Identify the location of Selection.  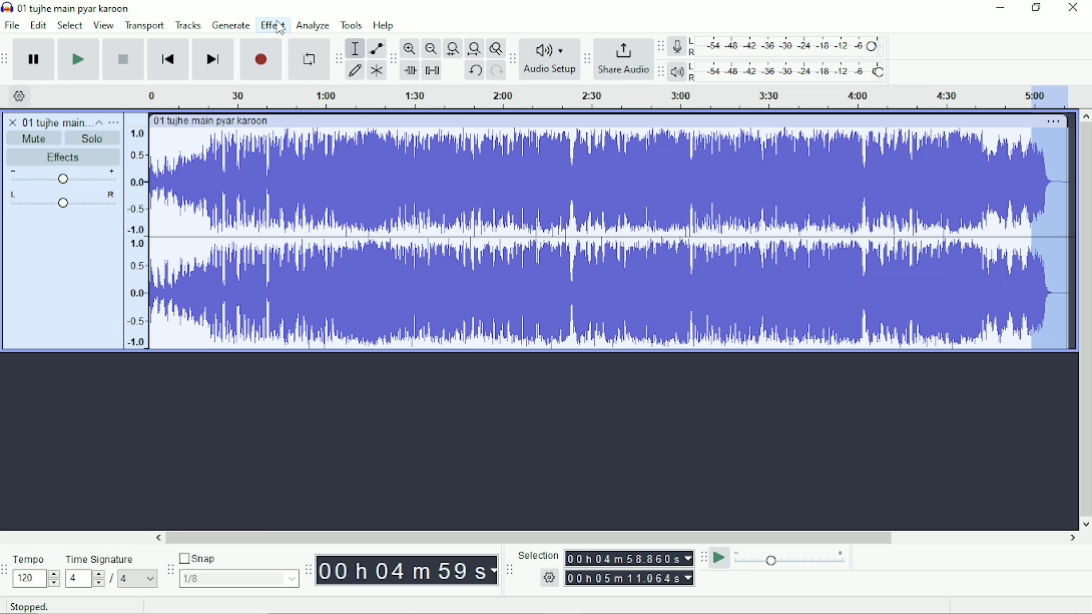
(538, 553).